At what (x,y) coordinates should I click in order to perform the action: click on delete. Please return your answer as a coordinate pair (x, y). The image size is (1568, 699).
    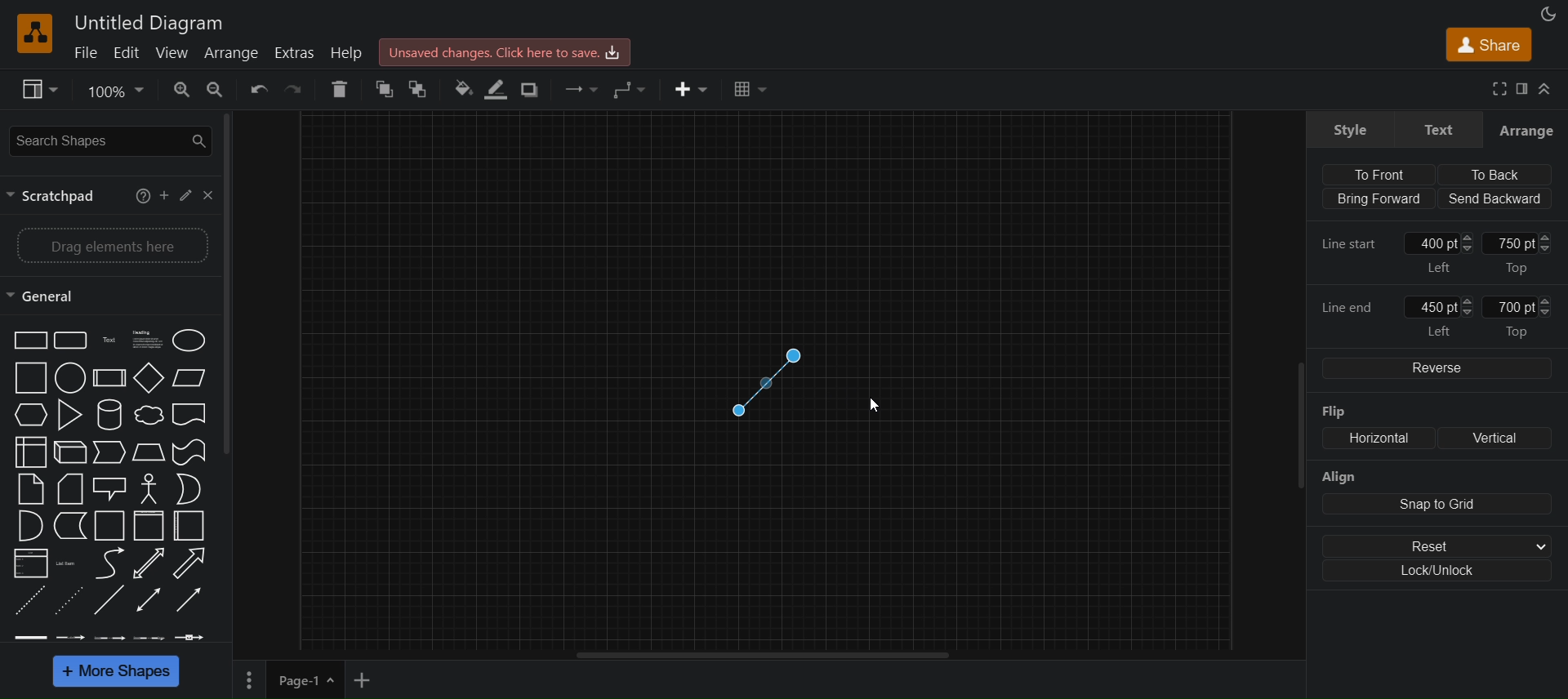
    Looking at the image, I should click on (343, 87).